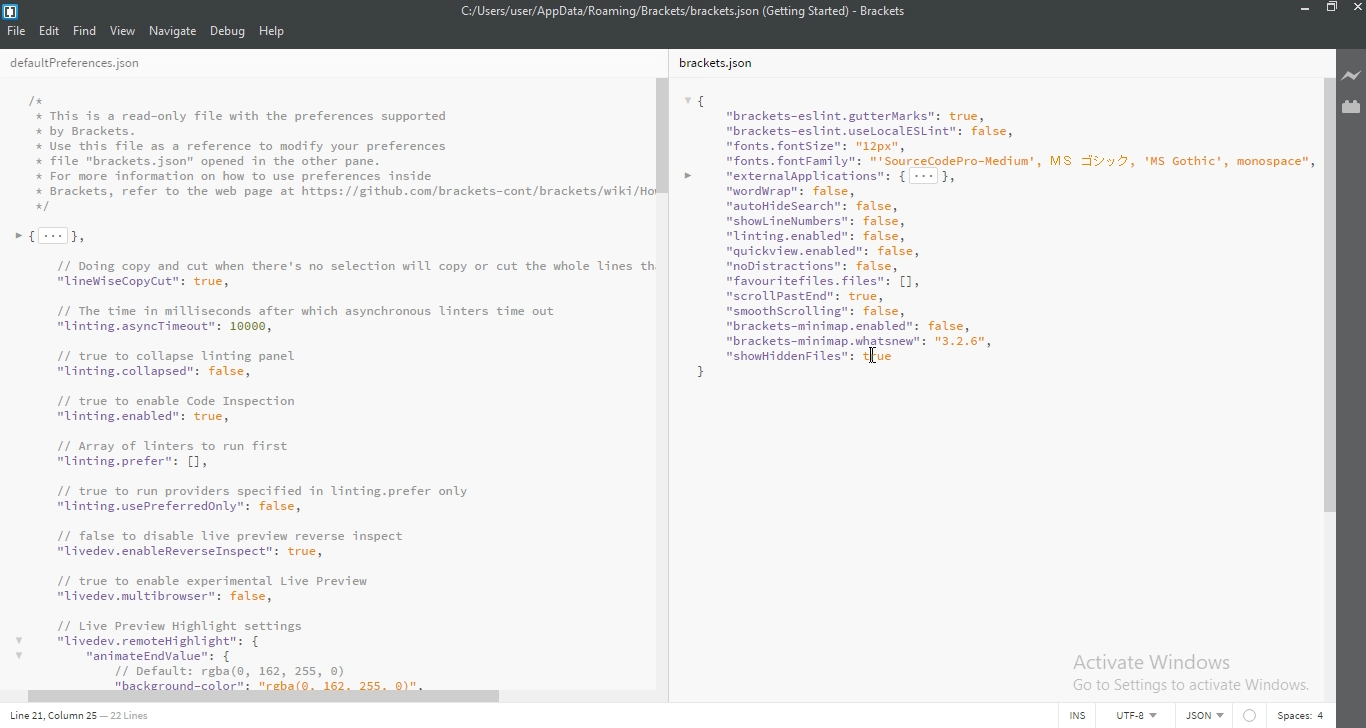 This screenshot has height=728, width=1366. Describe the element at coordinates (1306, 7) in the screenshot. I see `minimize` at that location.